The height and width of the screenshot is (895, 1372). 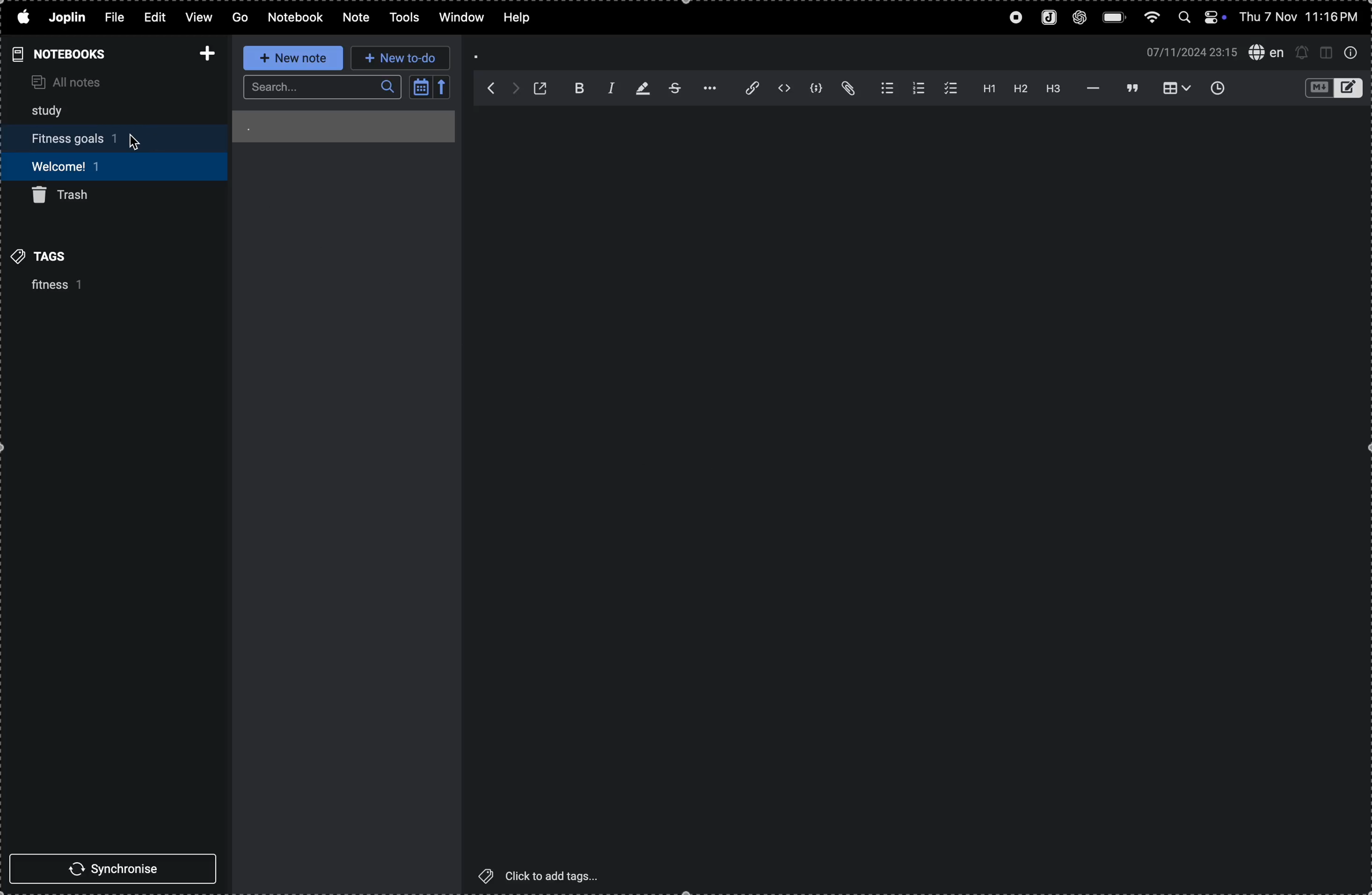 What do you see at coordinates (538, 875) in the screenshot?
I see `click to add tags` at bounding box center [538, 875].